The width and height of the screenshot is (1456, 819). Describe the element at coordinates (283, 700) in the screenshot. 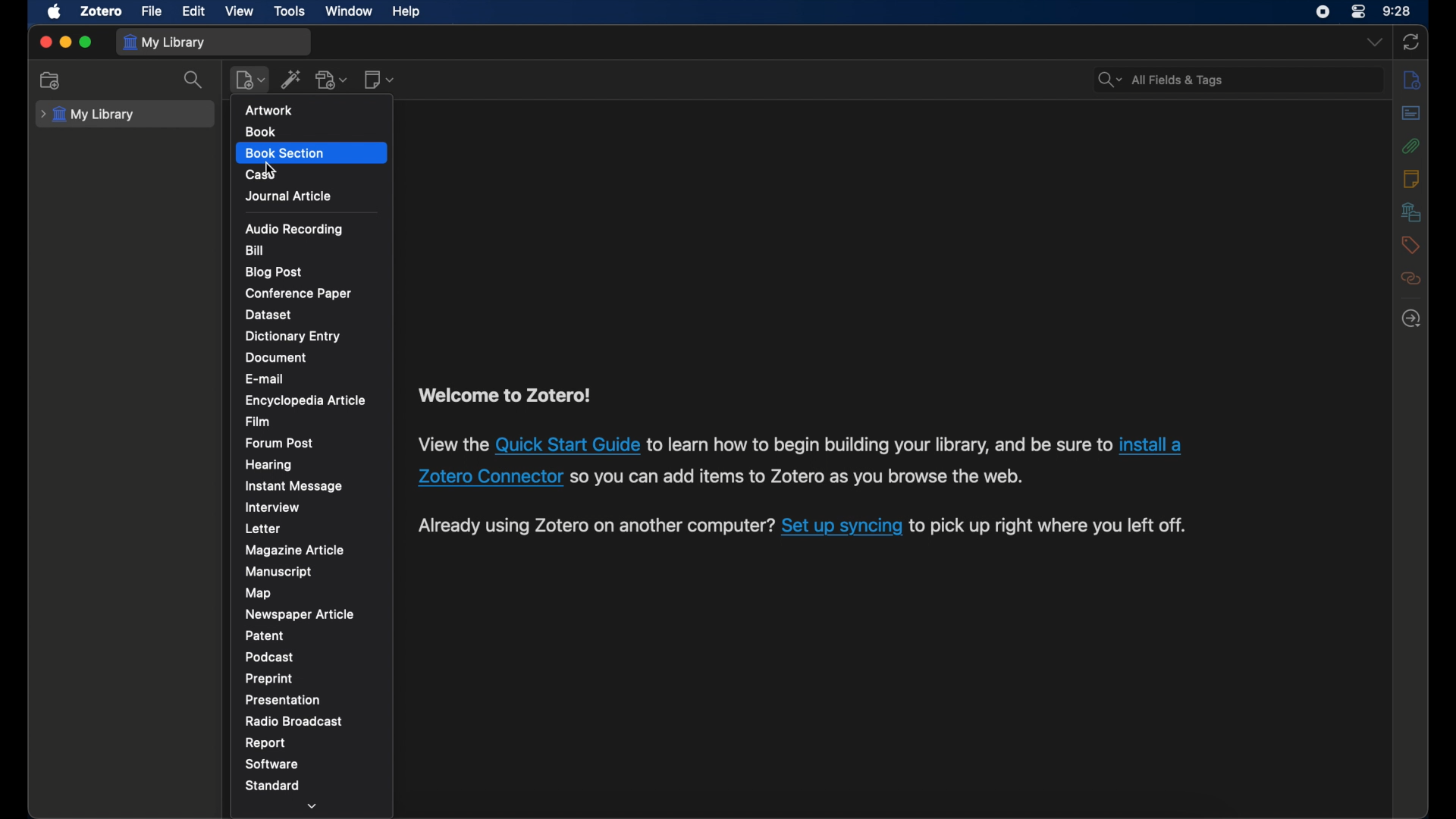

I see `presentation` at that location.